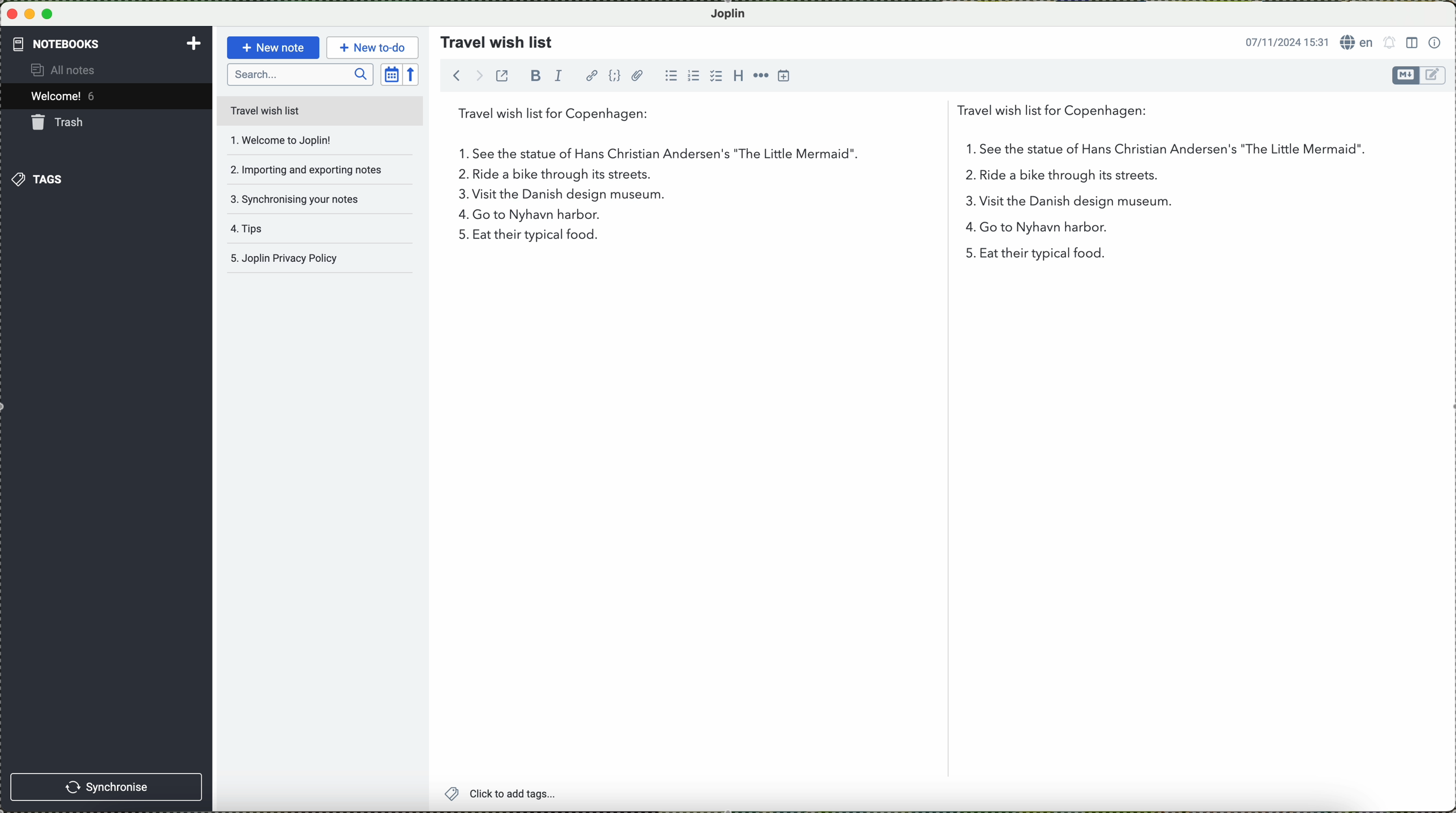 Image resolution: width=1456 pixels, height=813 pixels. I want to click on click to add tags, so click(530, 794).